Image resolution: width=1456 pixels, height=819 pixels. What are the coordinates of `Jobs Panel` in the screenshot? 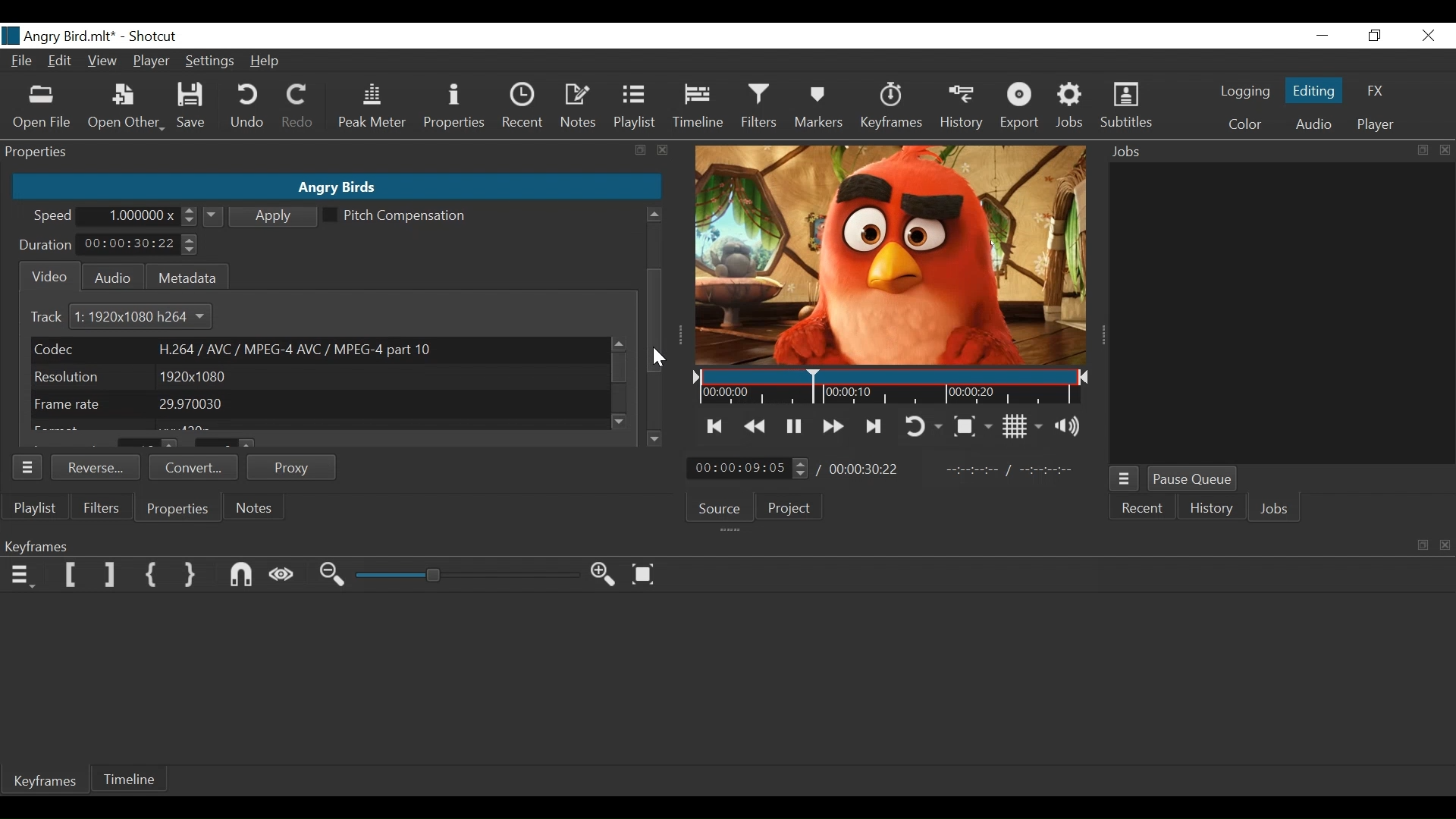 It's located at (1275, 152).